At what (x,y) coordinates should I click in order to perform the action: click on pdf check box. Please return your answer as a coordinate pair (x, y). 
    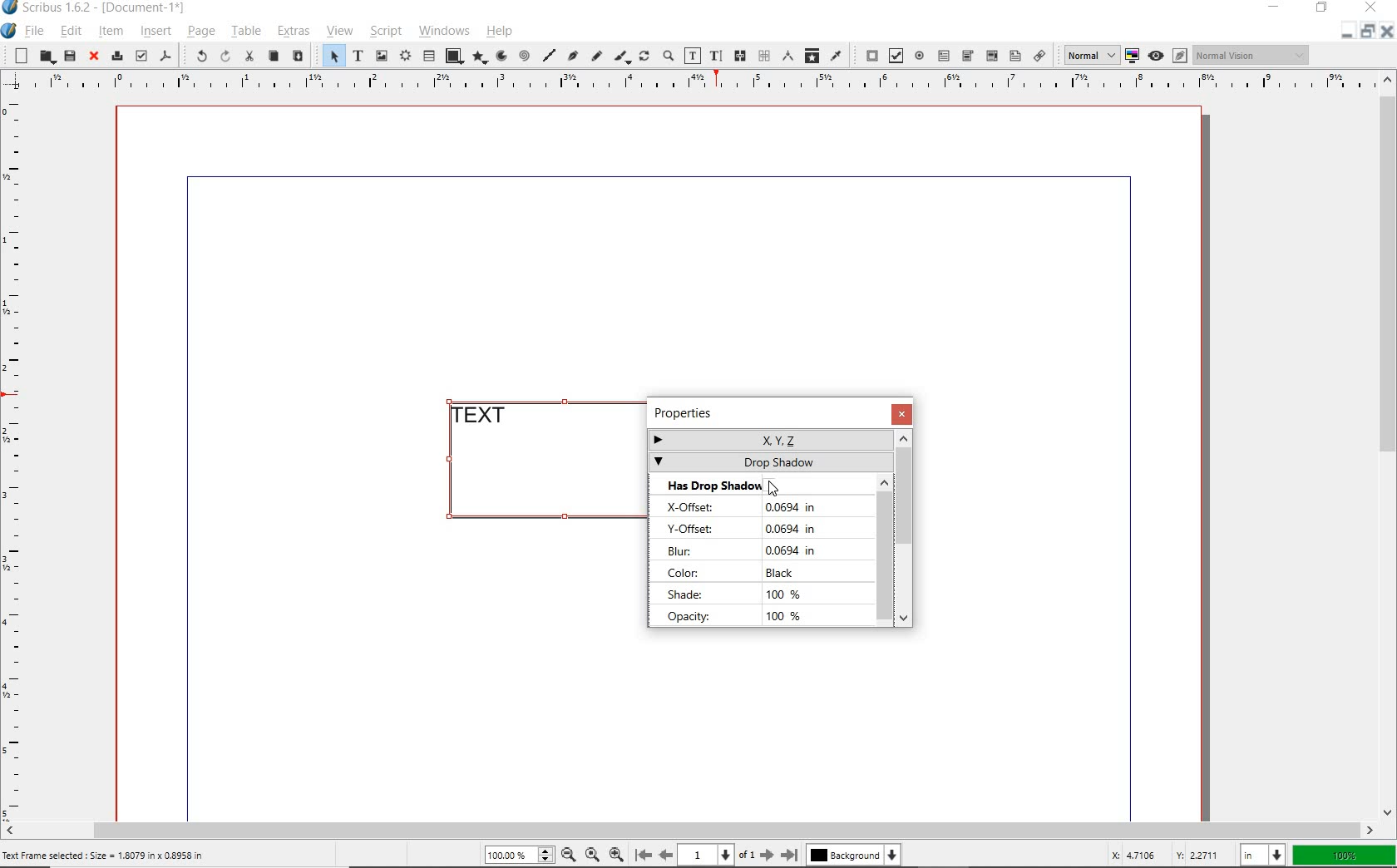
    Looking at the image, I should click on (894, 55).